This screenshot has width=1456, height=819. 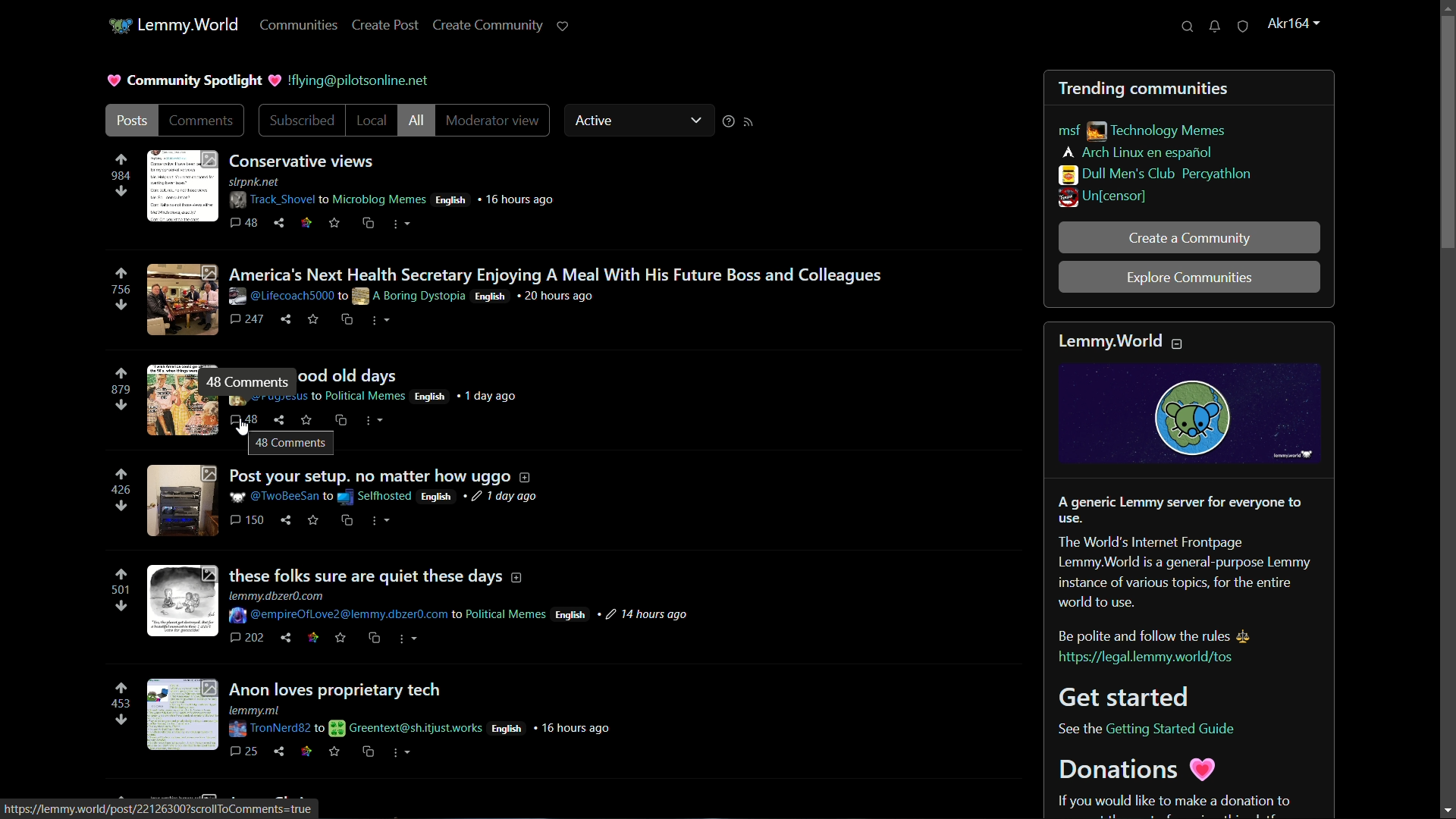 What do you see at coordinates (1191, 570) in the screenshot?
I see `about lemmy.world` at bounding box center [1191, 570].